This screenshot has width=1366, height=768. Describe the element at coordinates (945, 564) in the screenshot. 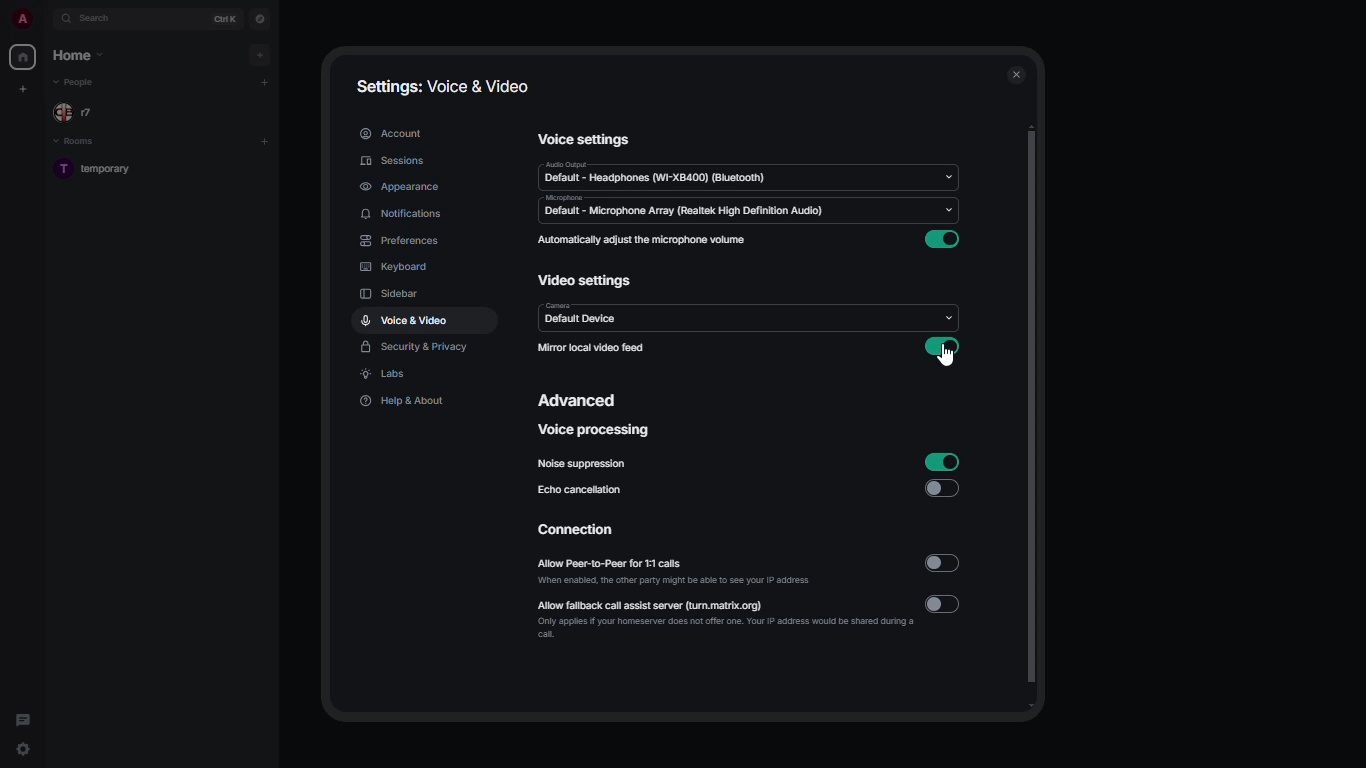

I see `disabled` at that location.